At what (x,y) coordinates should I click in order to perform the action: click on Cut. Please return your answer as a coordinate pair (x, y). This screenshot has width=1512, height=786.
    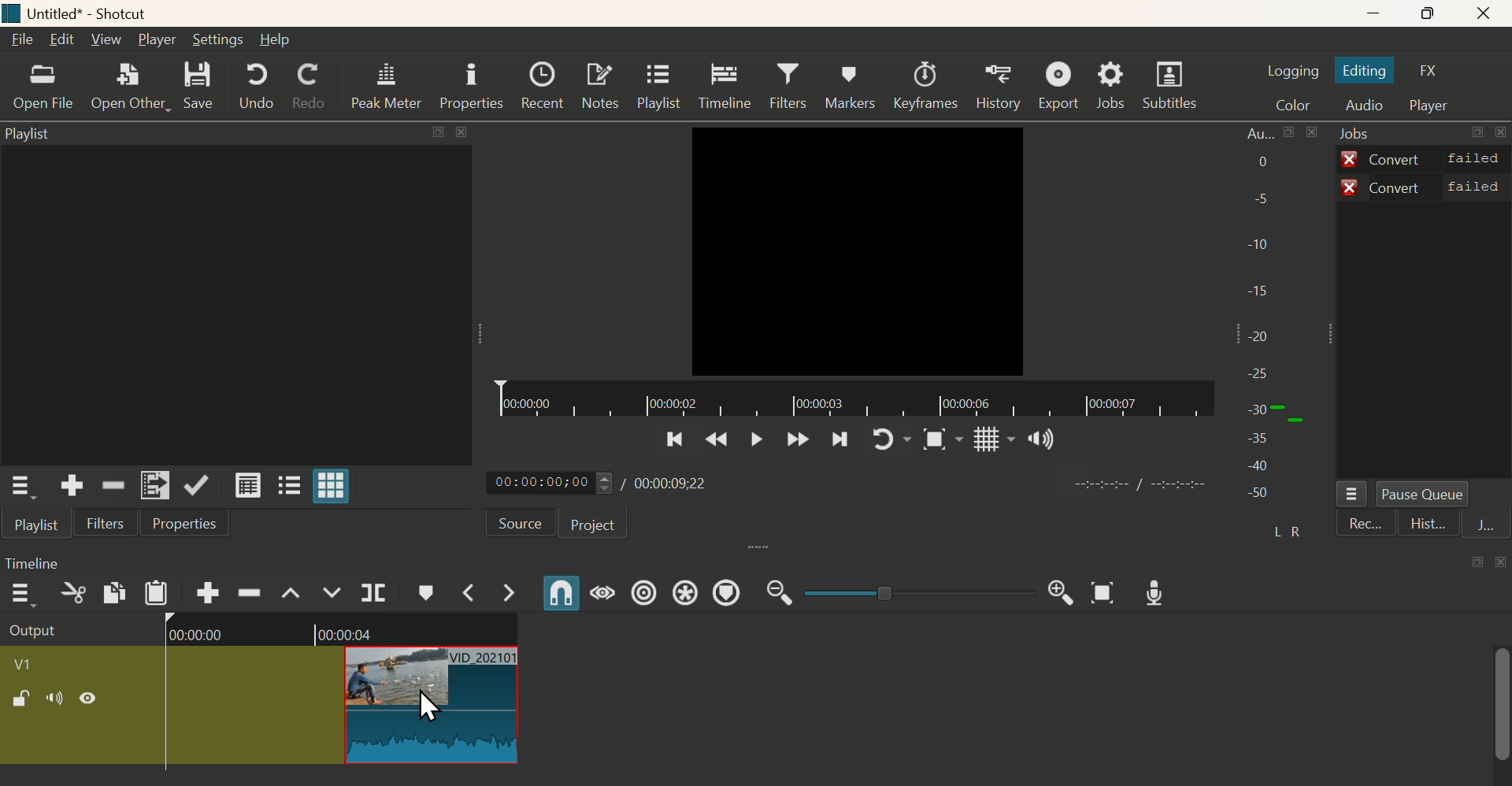
    Looking at the image, I should click on (72, 598).